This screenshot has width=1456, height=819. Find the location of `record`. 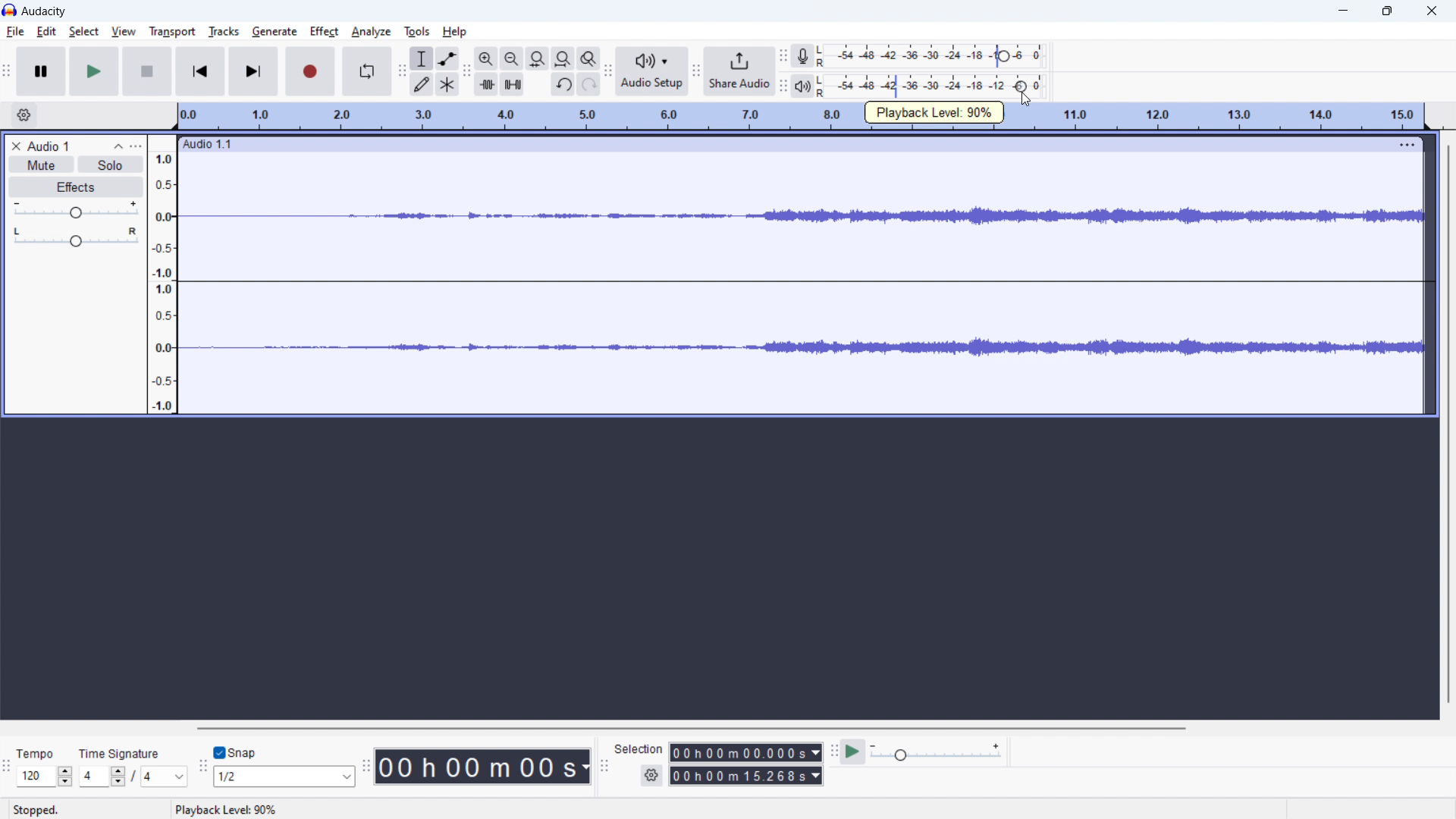

record is located at coordinates (310, 72).